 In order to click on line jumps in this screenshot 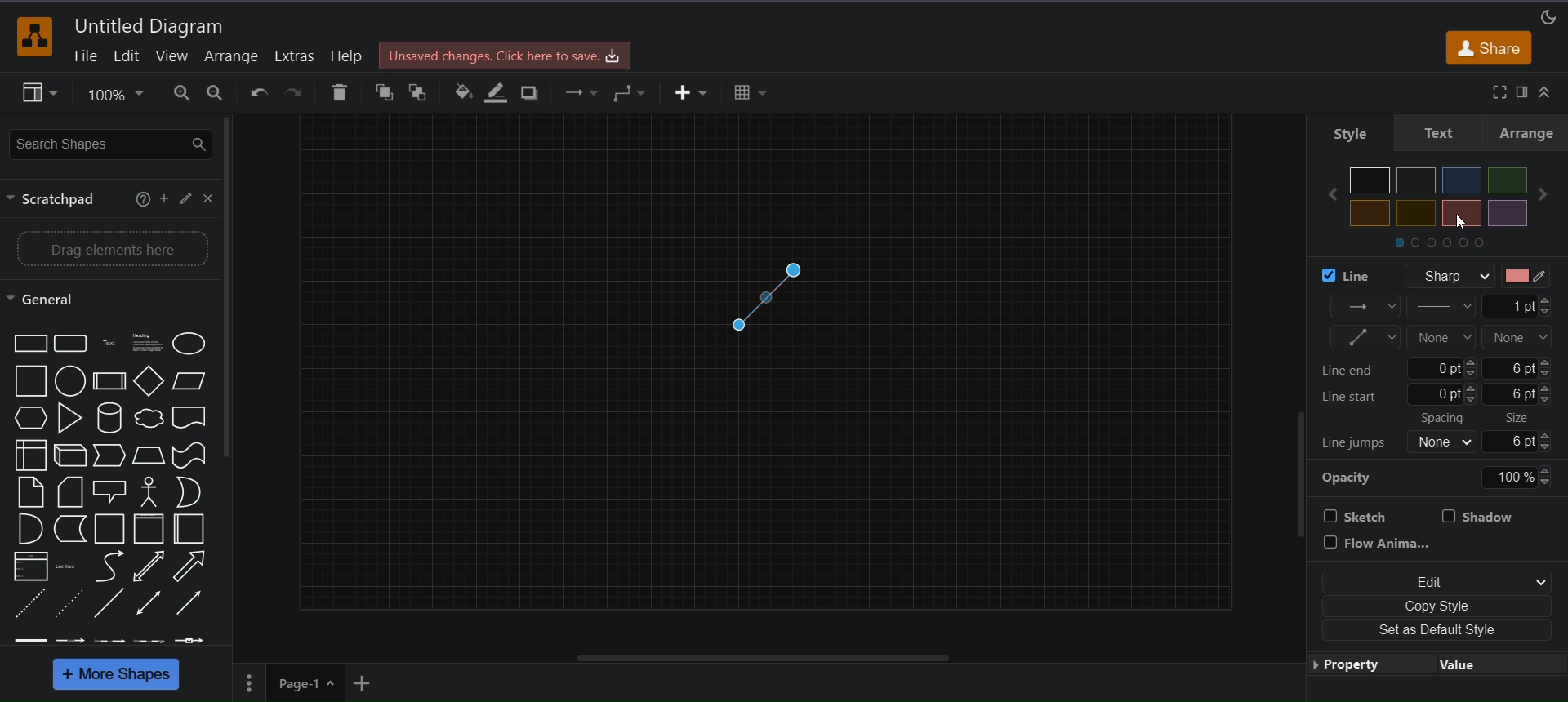, I will do `click(1358, 442)`.